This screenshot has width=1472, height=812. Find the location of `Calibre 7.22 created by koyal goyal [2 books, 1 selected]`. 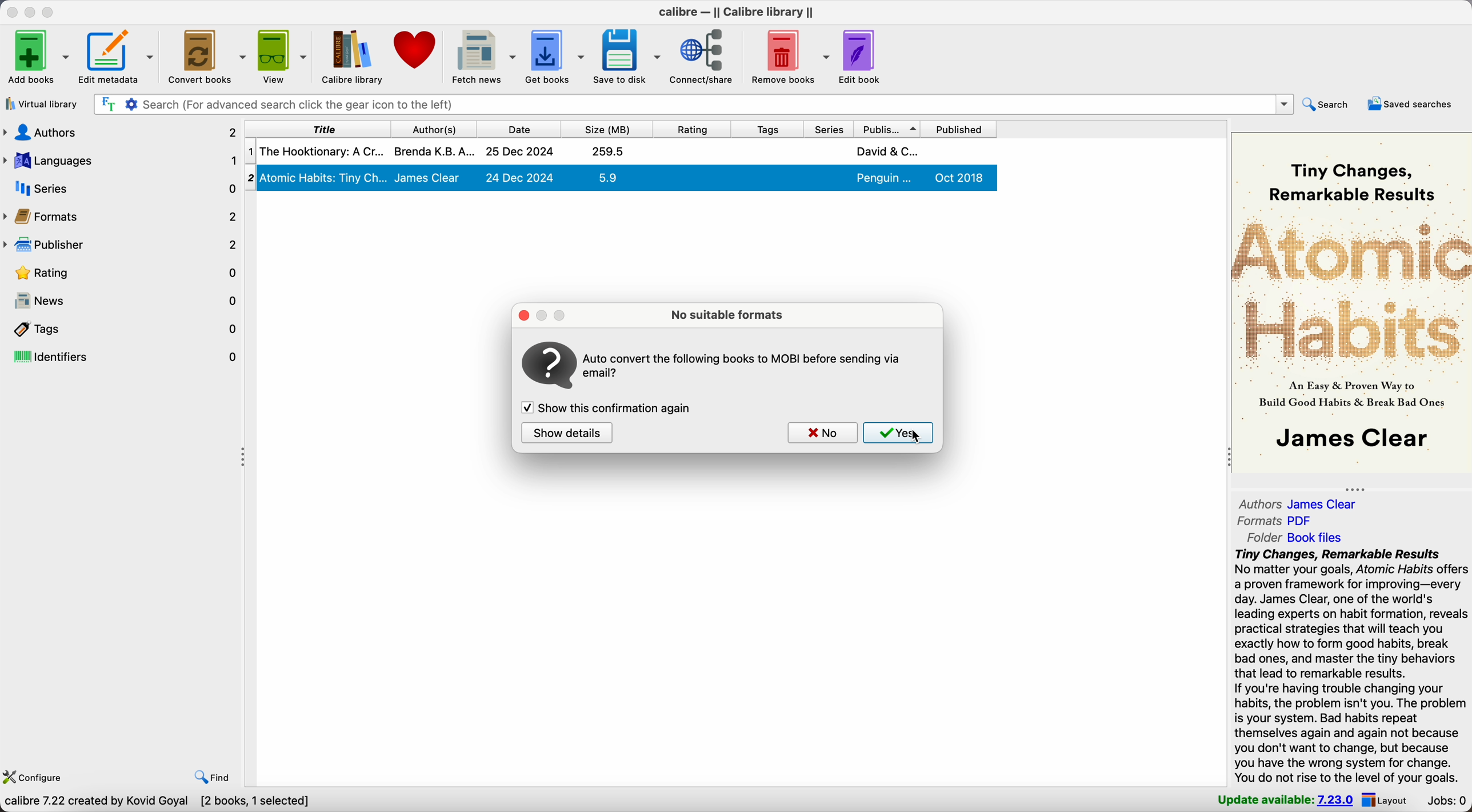

Calibre 7.22 created by koyal goyal [2 books, 1 selected] is located at coordinates (158, 802).